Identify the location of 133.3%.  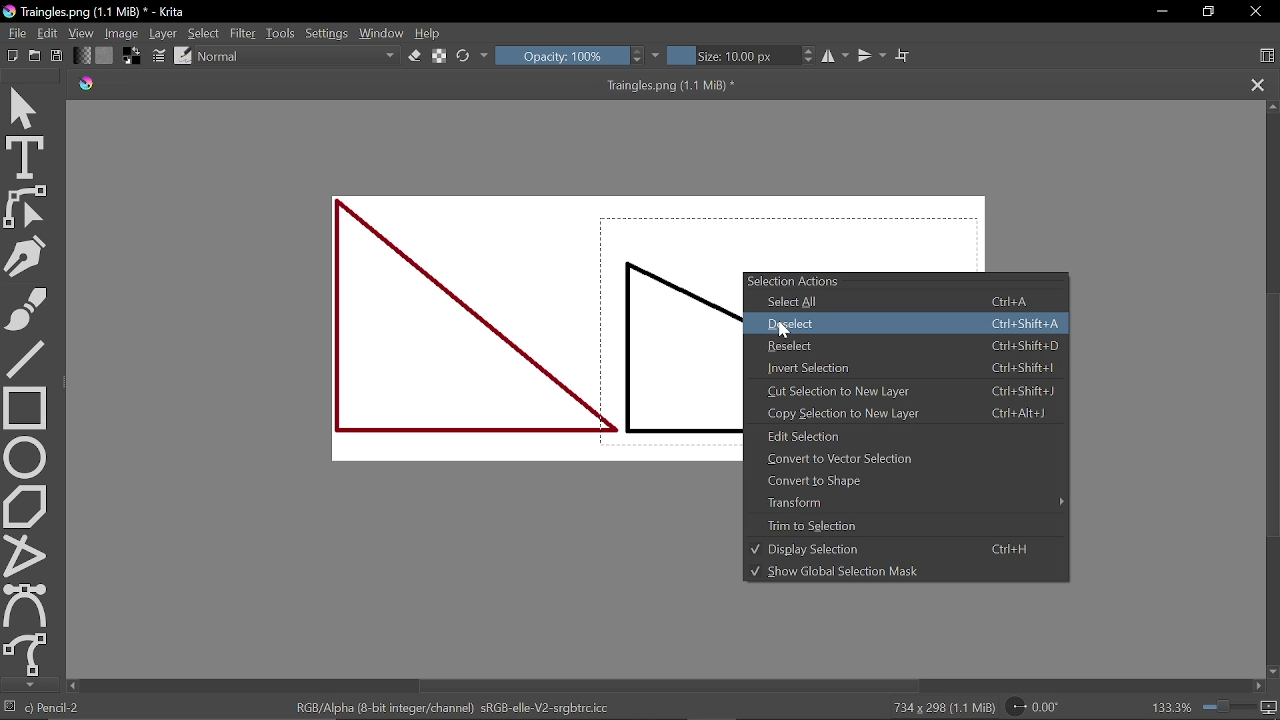
(1215, 707).